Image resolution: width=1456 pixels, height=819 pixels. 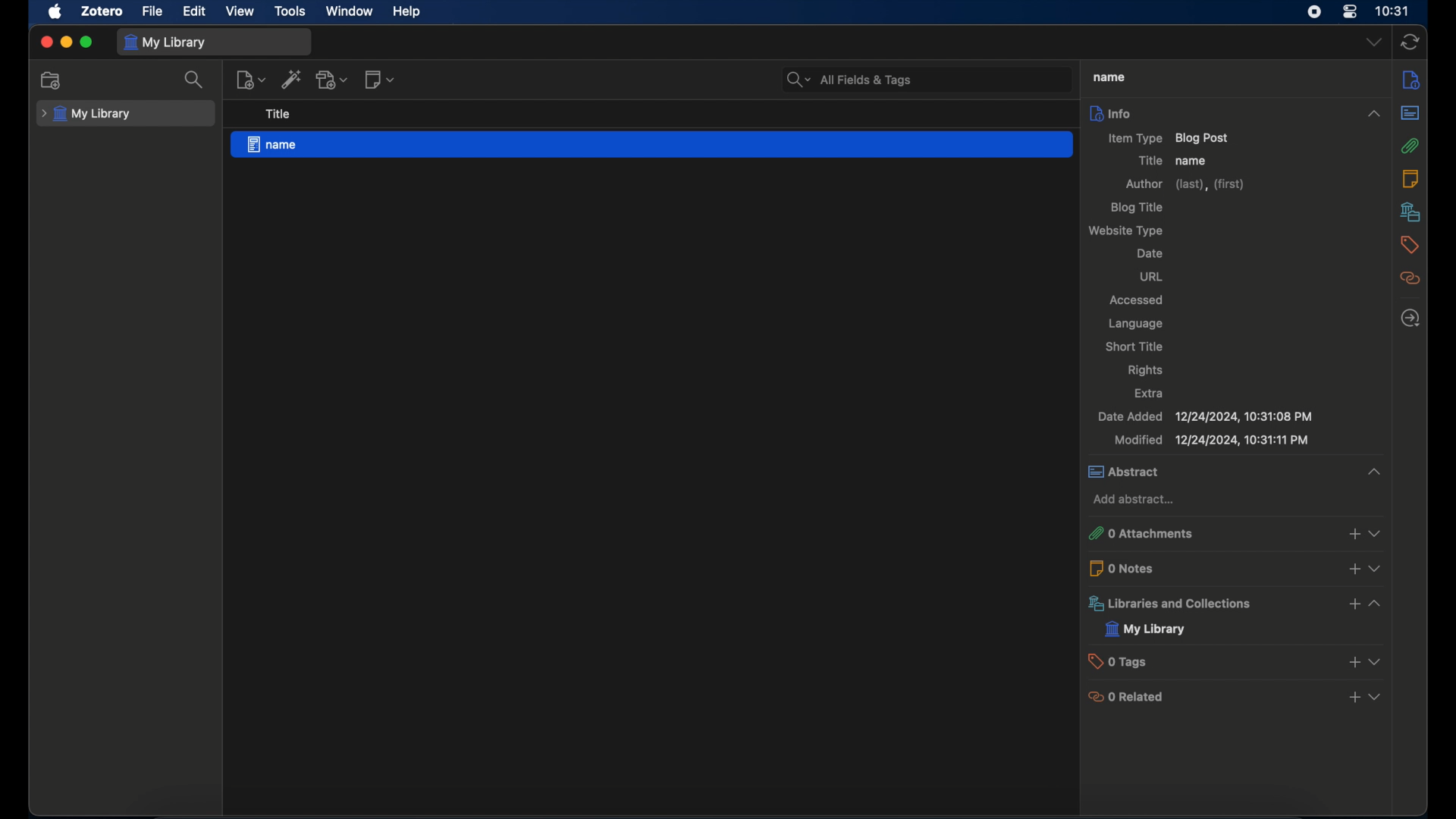 What do you see at coordinates (1232, 534) in the screenshot?
I see `0 attachments` at bounding box center [1232, 534].